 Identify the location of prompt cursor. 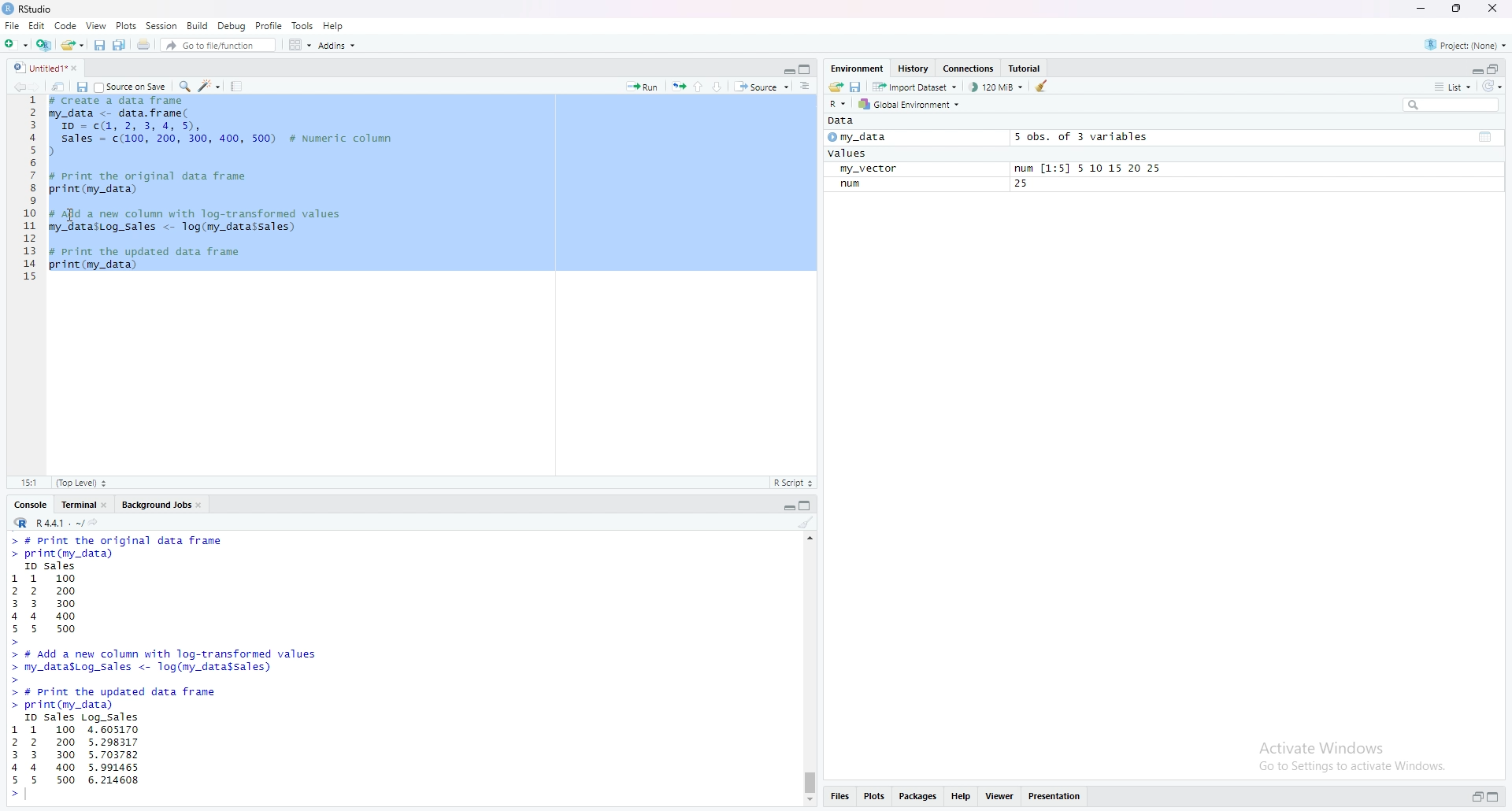
(10, 799).